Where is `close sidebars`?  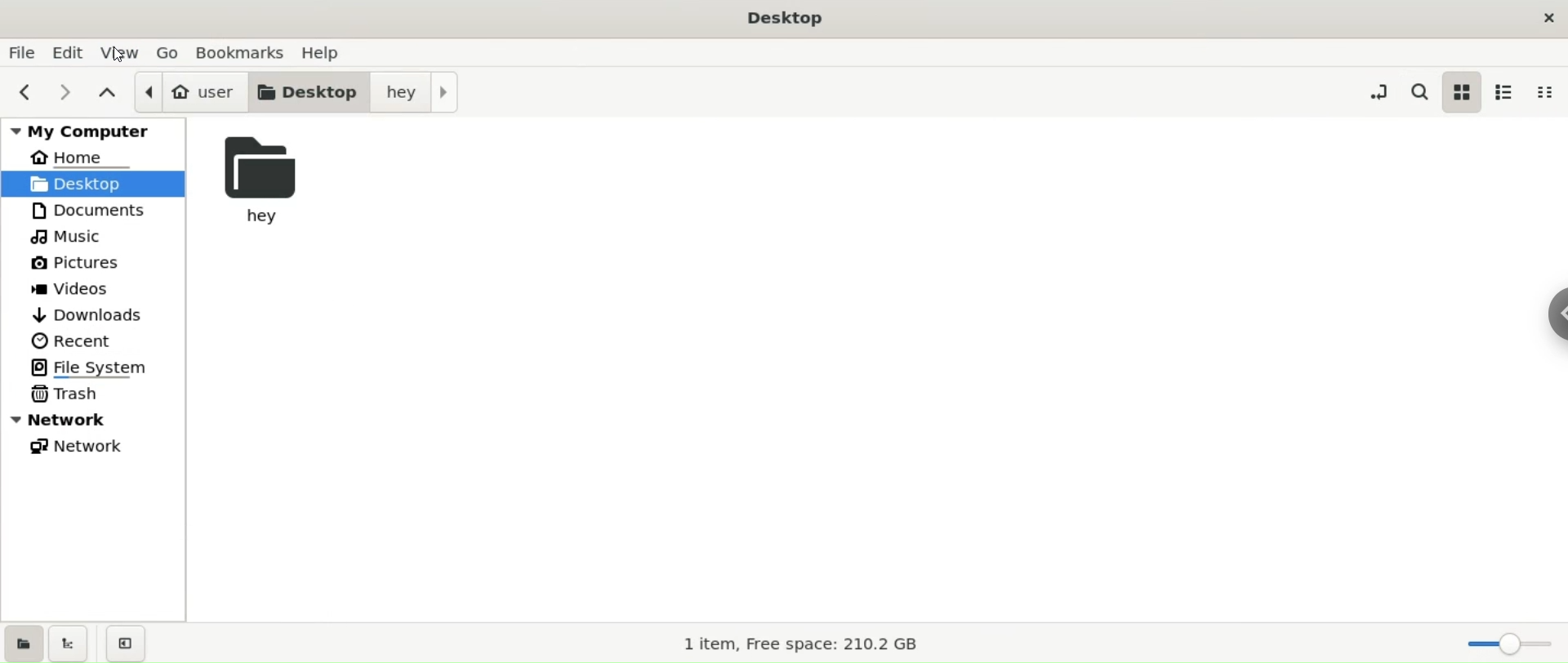 close sidebars is located at coordinates (131, 643).